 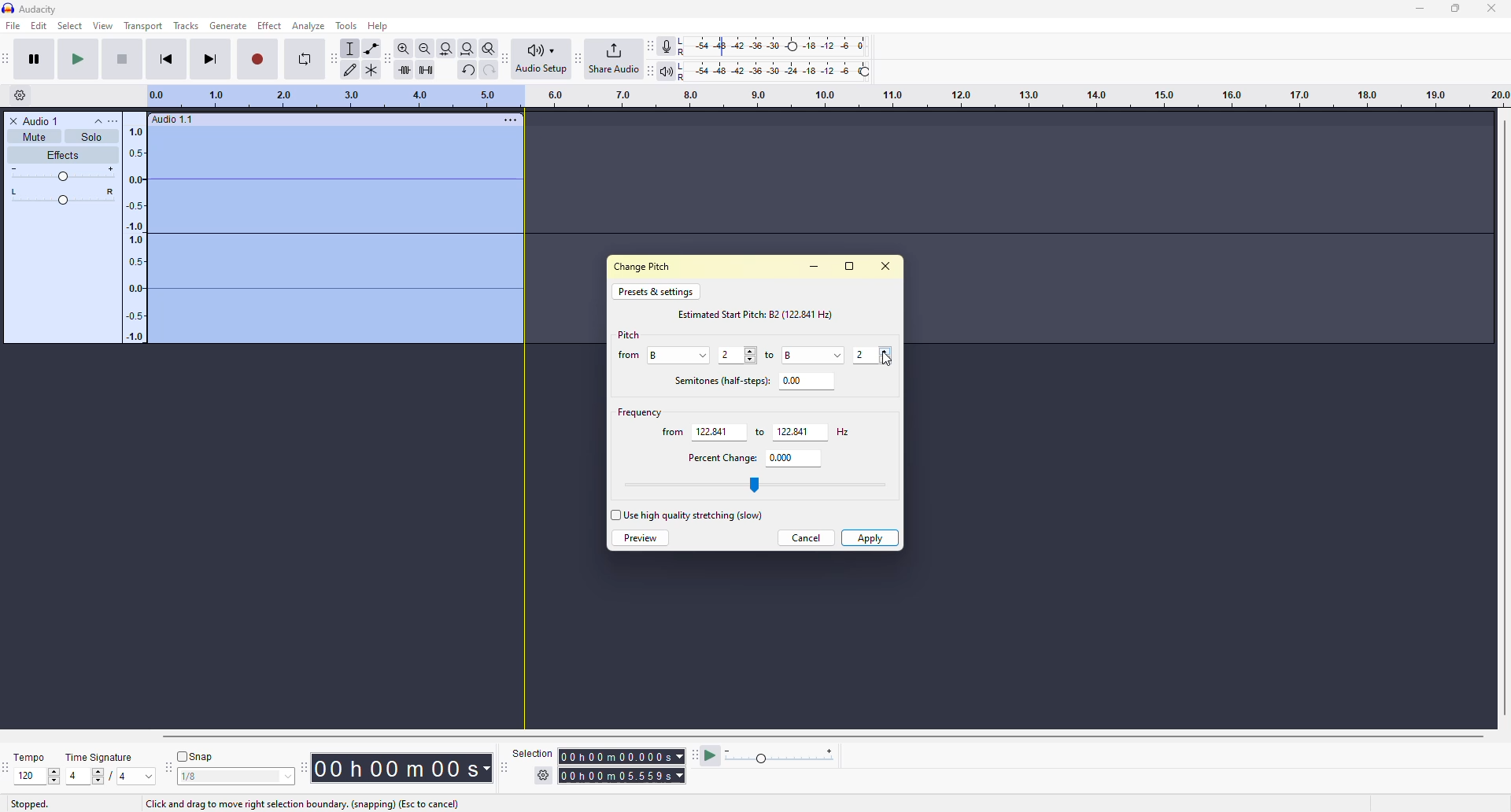 I want to click on zoom toggle, so click(x=490, y=48).